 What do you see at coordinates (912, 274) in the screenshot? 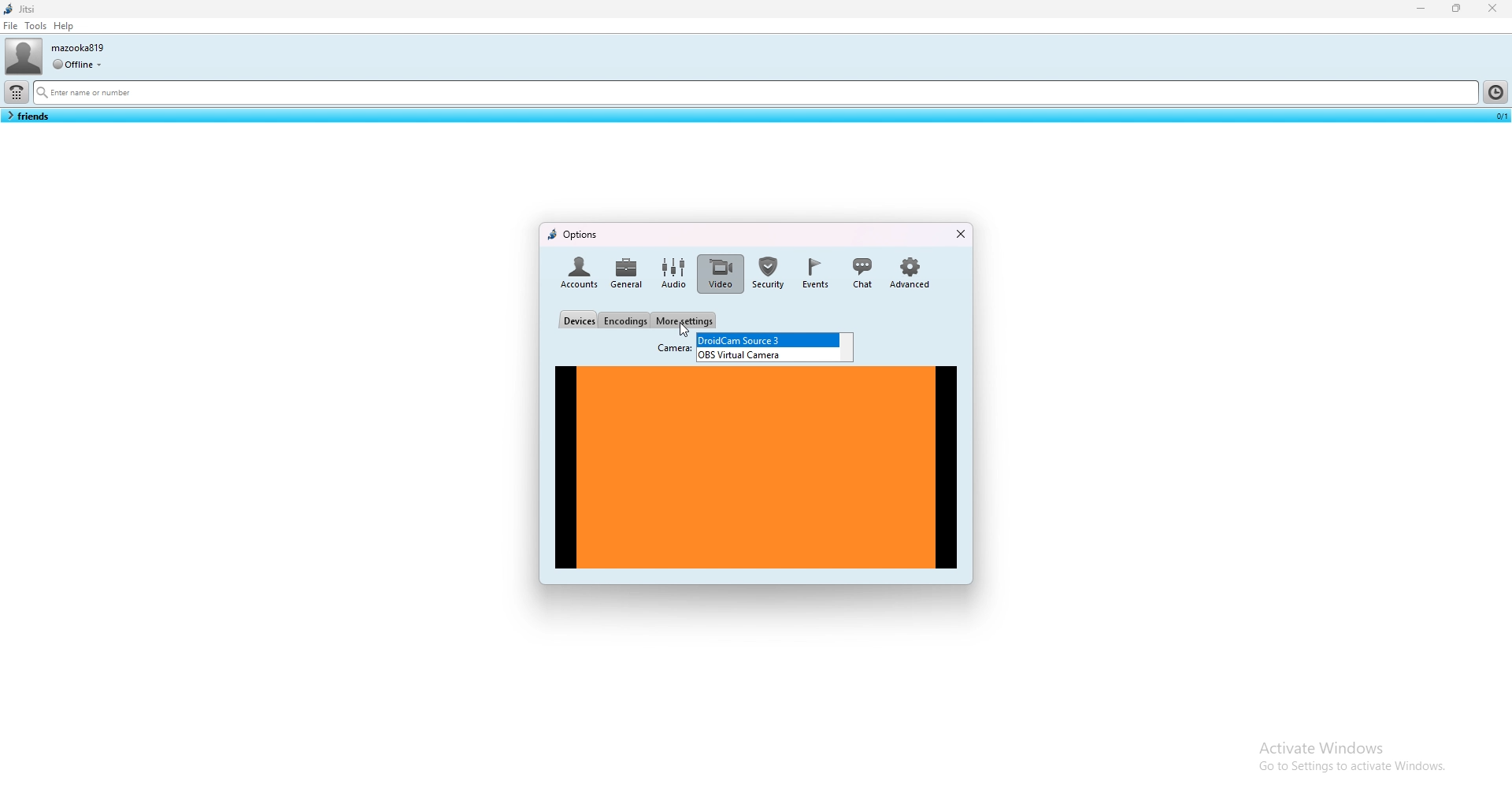
I see `advanced` at bounding box center [912, 274].